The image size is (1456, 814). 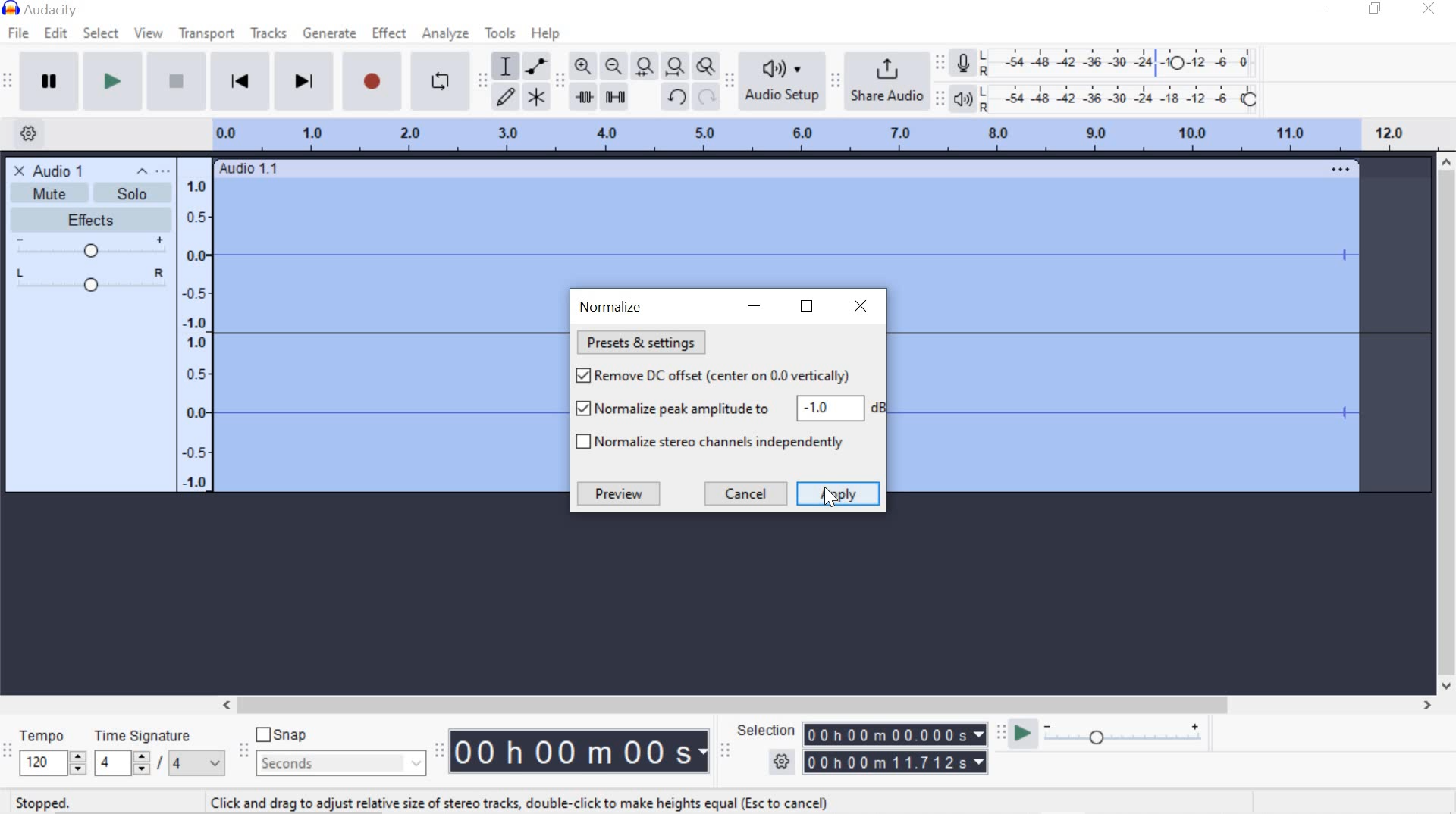 What do you see at coordinates (55, 33) in the screenshot?
I see `edit` at bounding box center [55, 33].